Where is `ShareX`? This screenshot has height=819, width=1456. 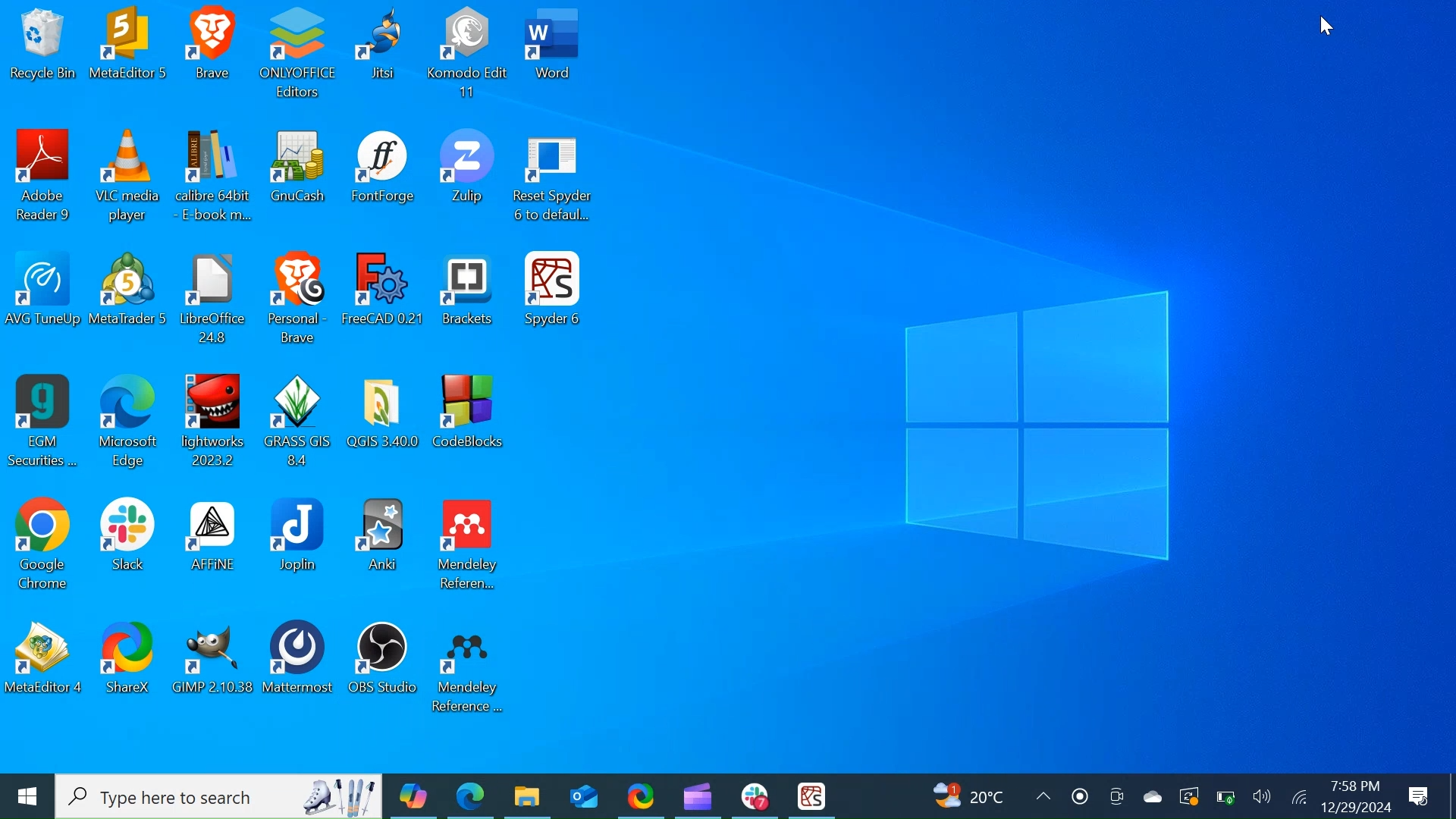
ShareX is located at coordinates (642, 795).